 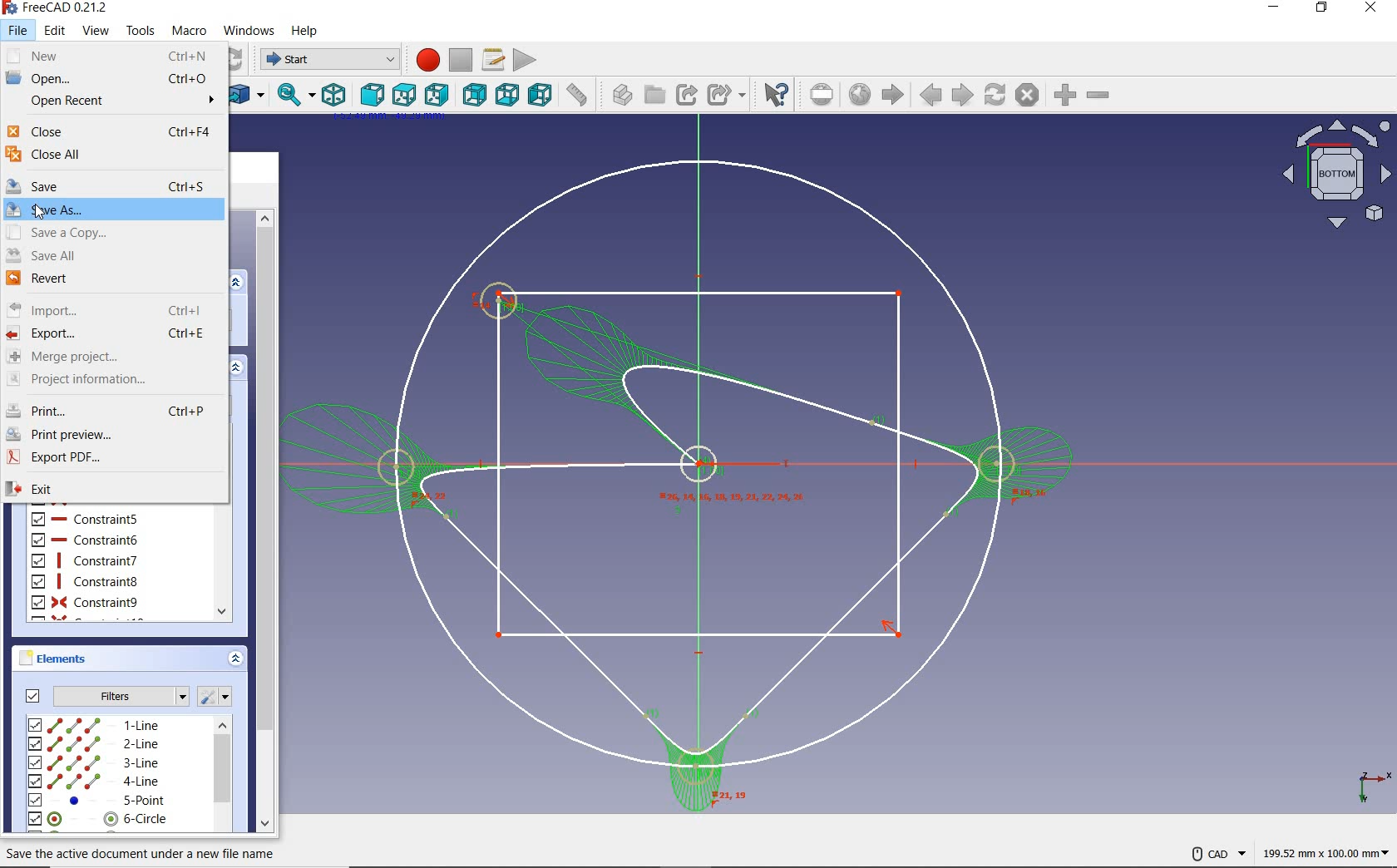 I want to click on measure distance, so click(x=579, y=96).